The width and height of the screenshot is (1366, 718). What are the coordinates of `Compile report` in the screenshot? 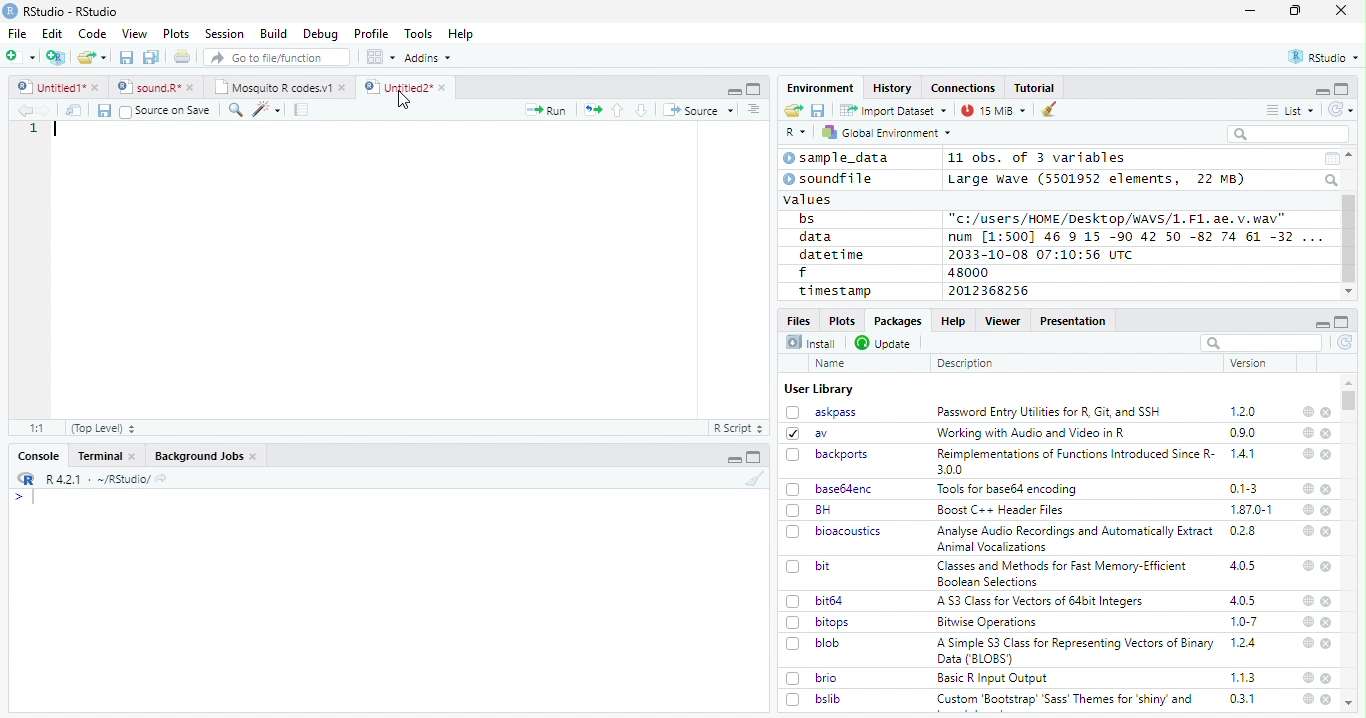 It's located at (302, 110).